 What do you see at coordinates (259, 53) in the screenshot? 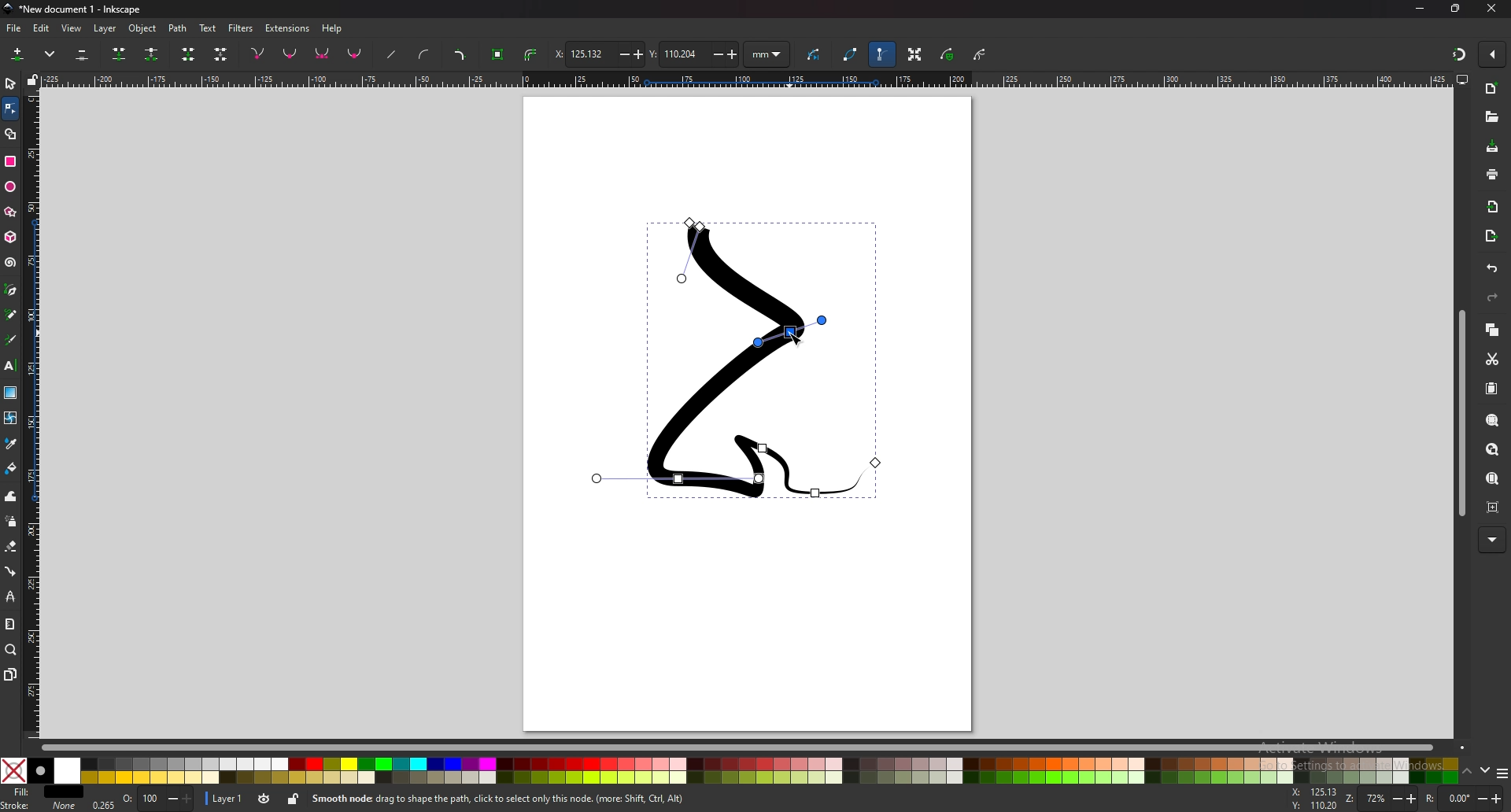
I see `corner` at bounding box center [259, 53].